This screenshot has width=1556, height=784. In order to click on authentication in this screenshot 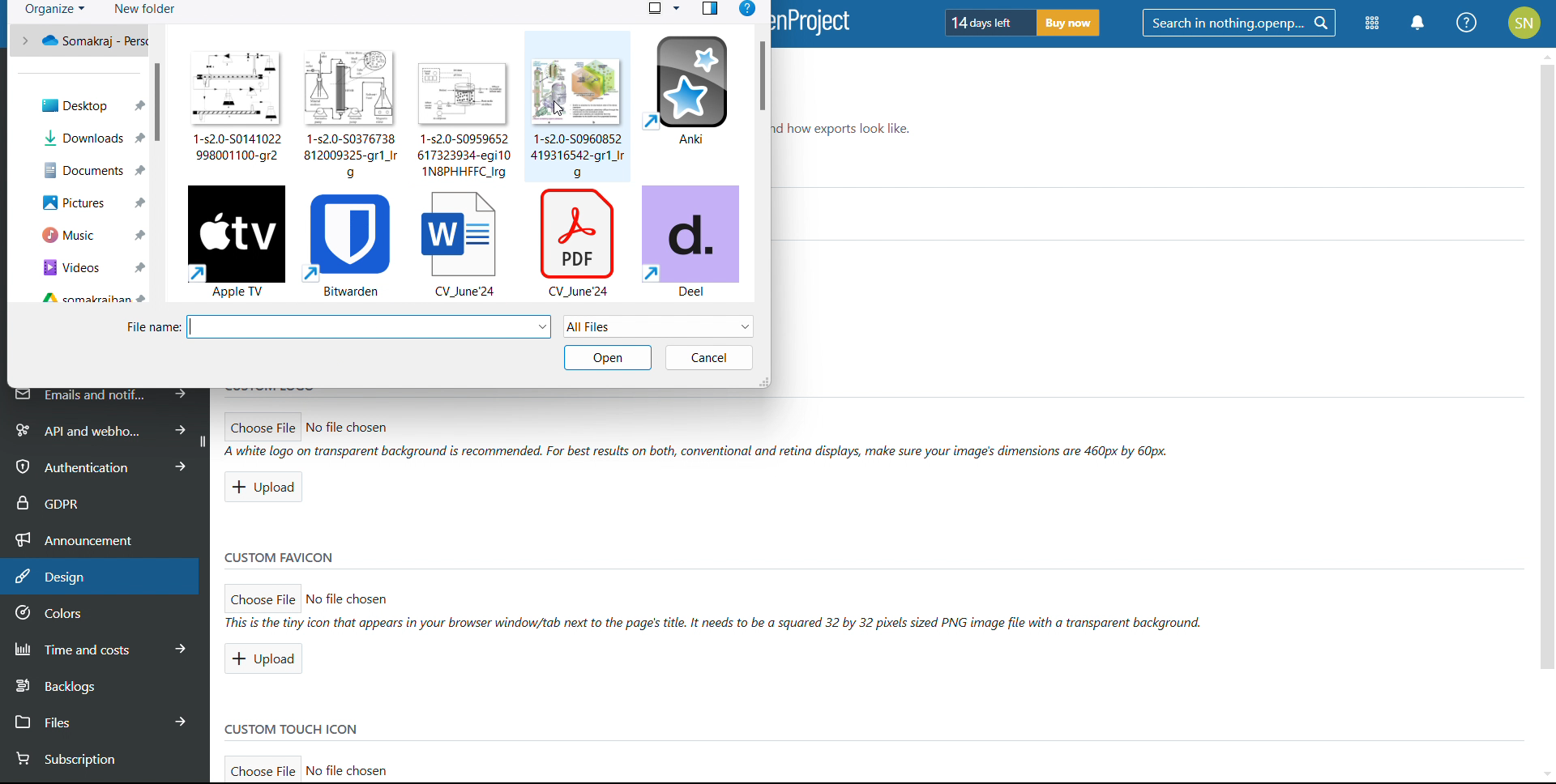, I will do `click(96, 467)`.